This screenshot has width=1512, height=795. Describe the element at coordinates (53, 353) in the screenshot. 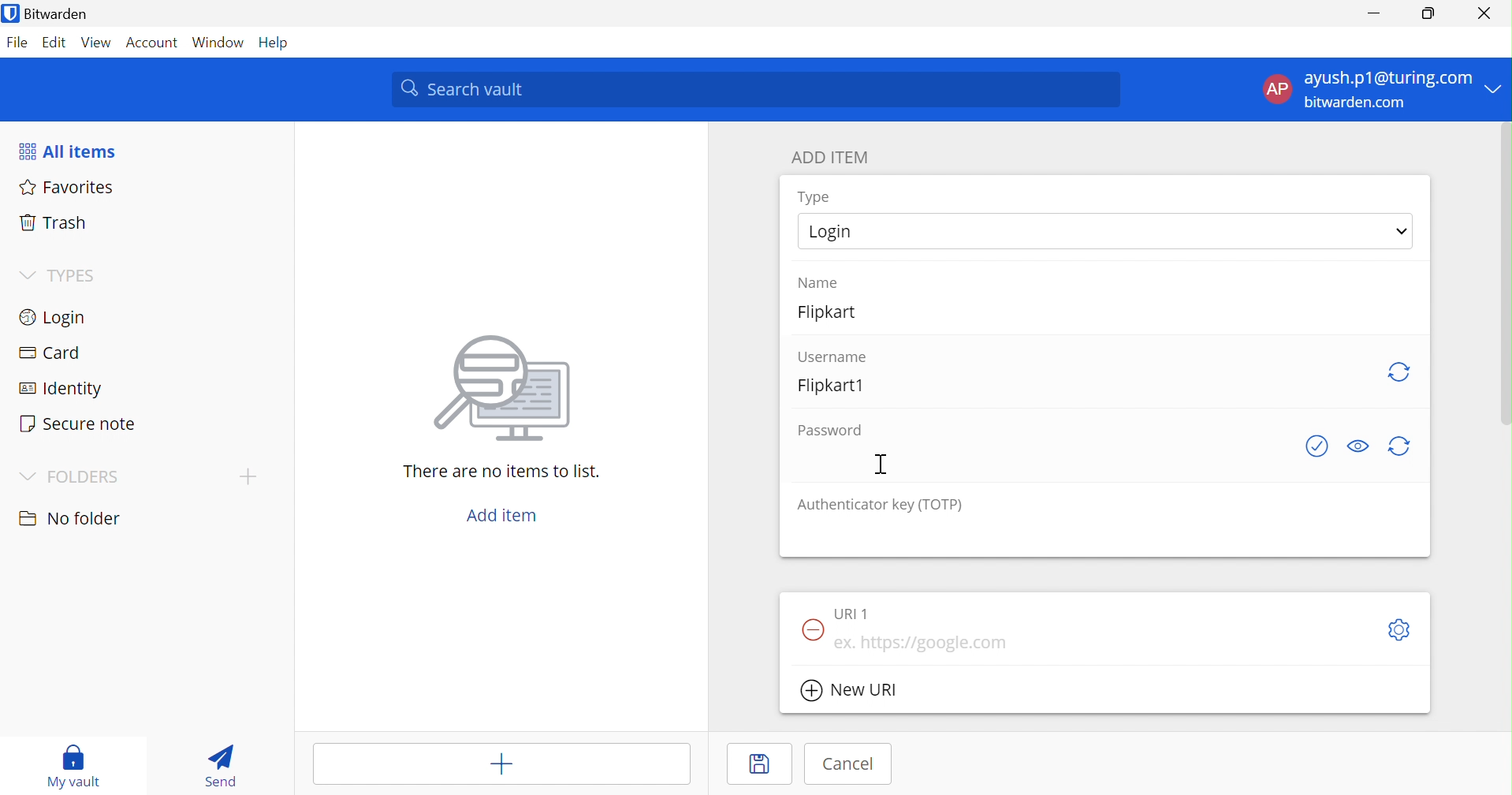

I see `Card` at that location.